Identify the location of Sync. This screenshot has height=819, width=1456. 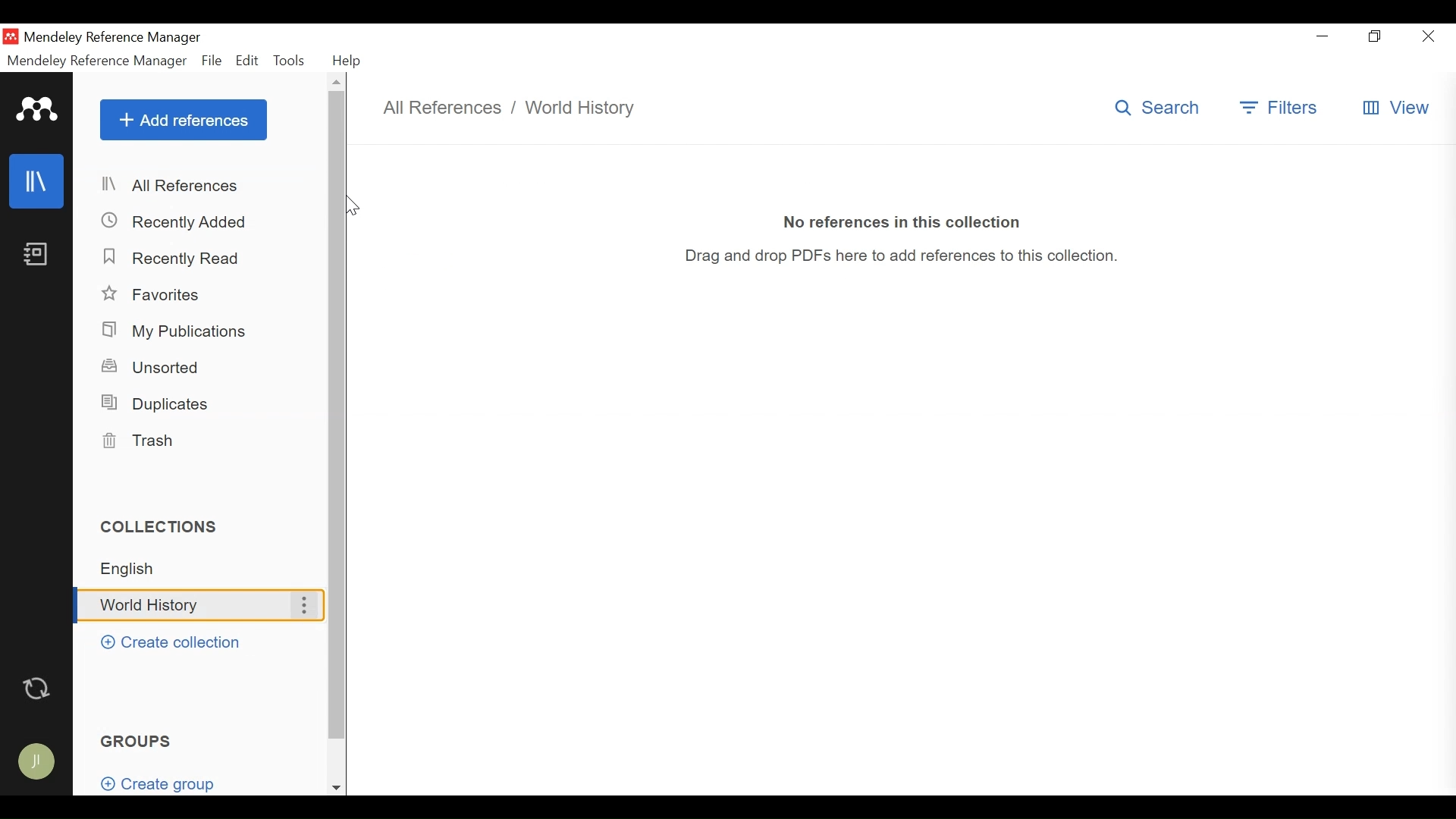
(38, 686).